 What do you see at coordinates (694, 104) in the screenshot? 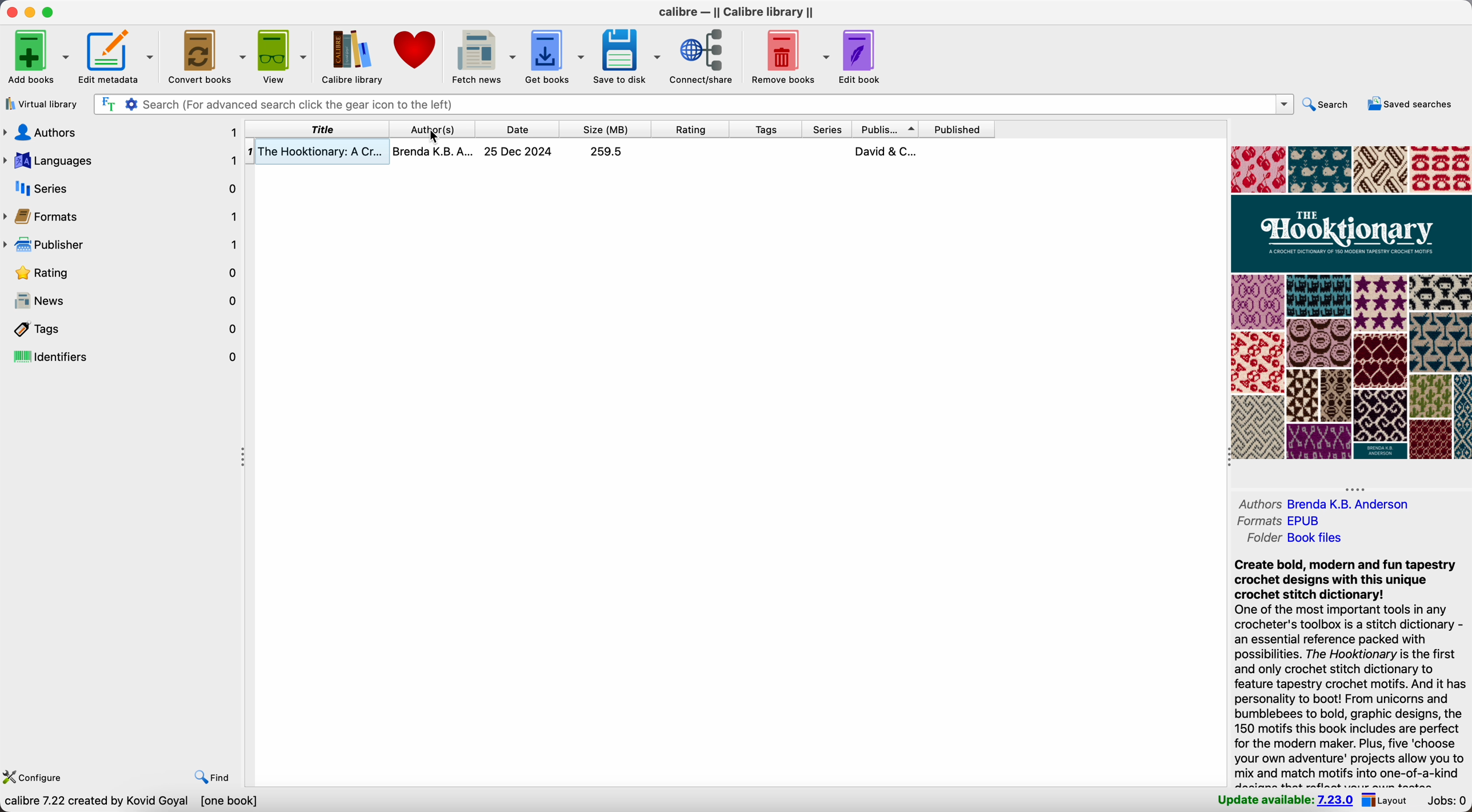
I see `search bar` at bounding box center [694, 104].